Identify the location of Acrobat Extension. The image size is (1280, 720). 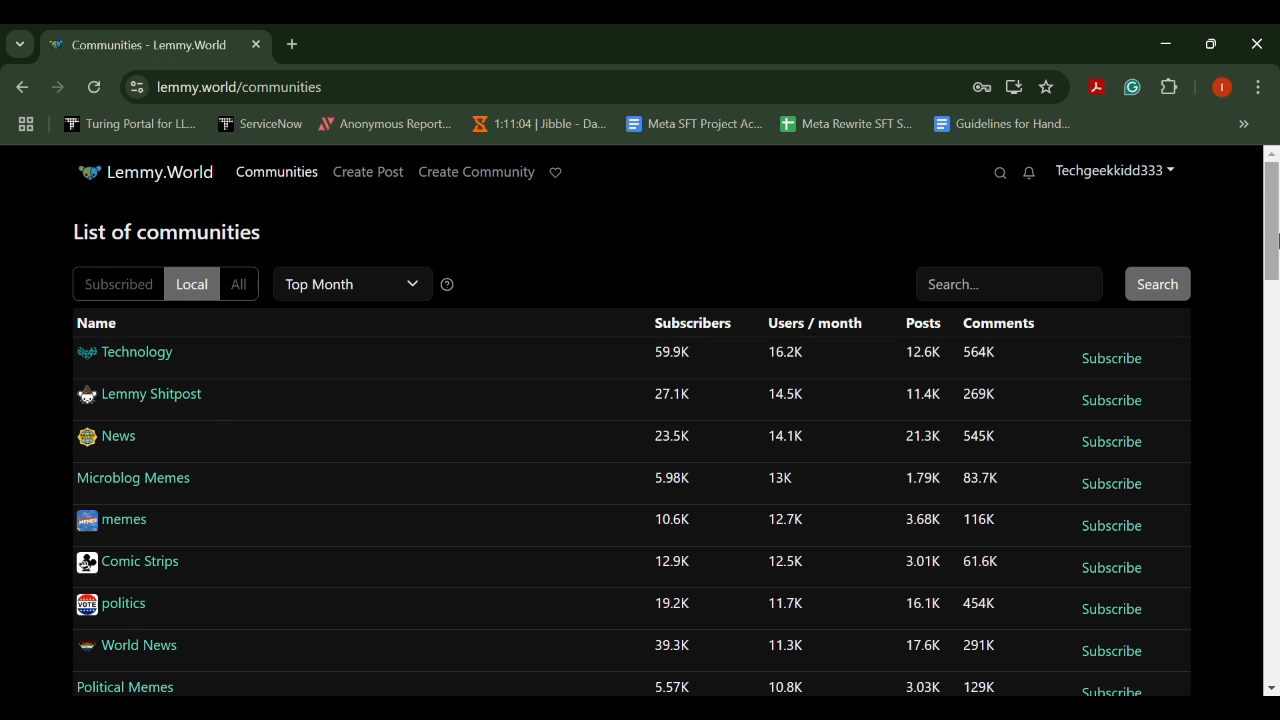
(1096, 88).